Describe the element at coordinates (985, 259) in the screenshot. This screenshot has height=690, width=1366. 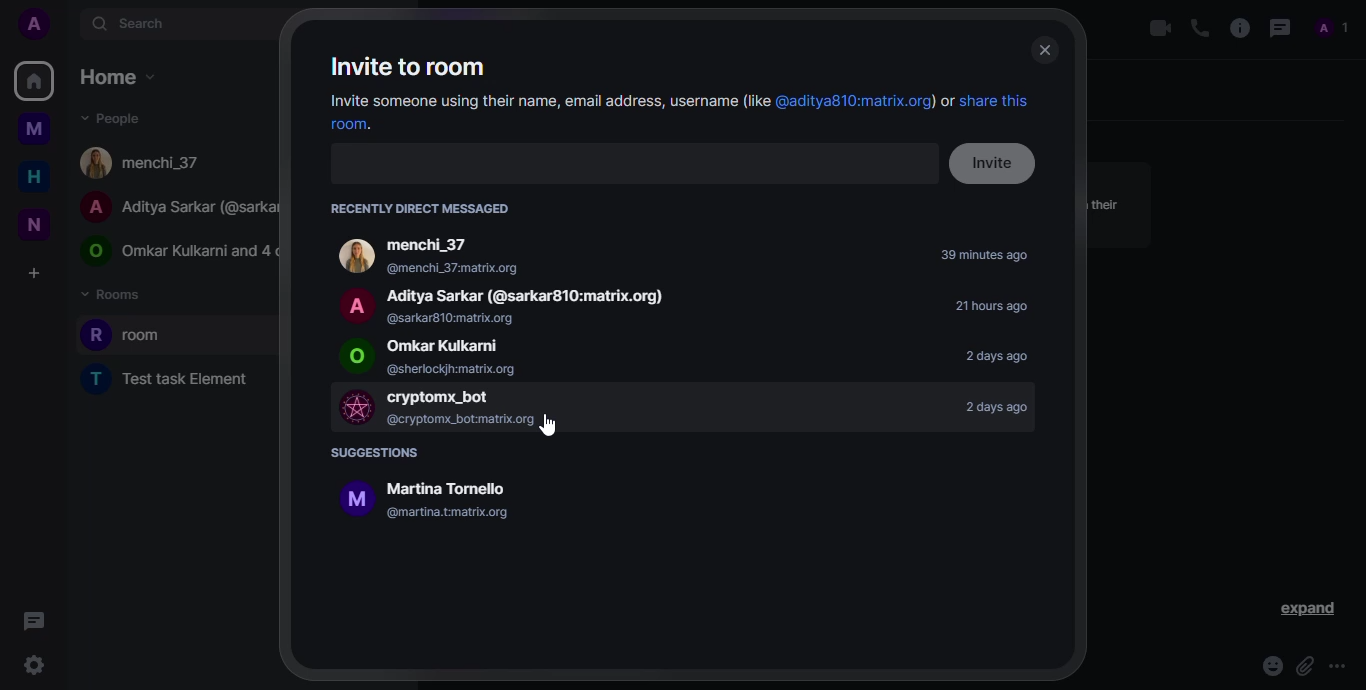
I see `39 minutes ago` at that location.